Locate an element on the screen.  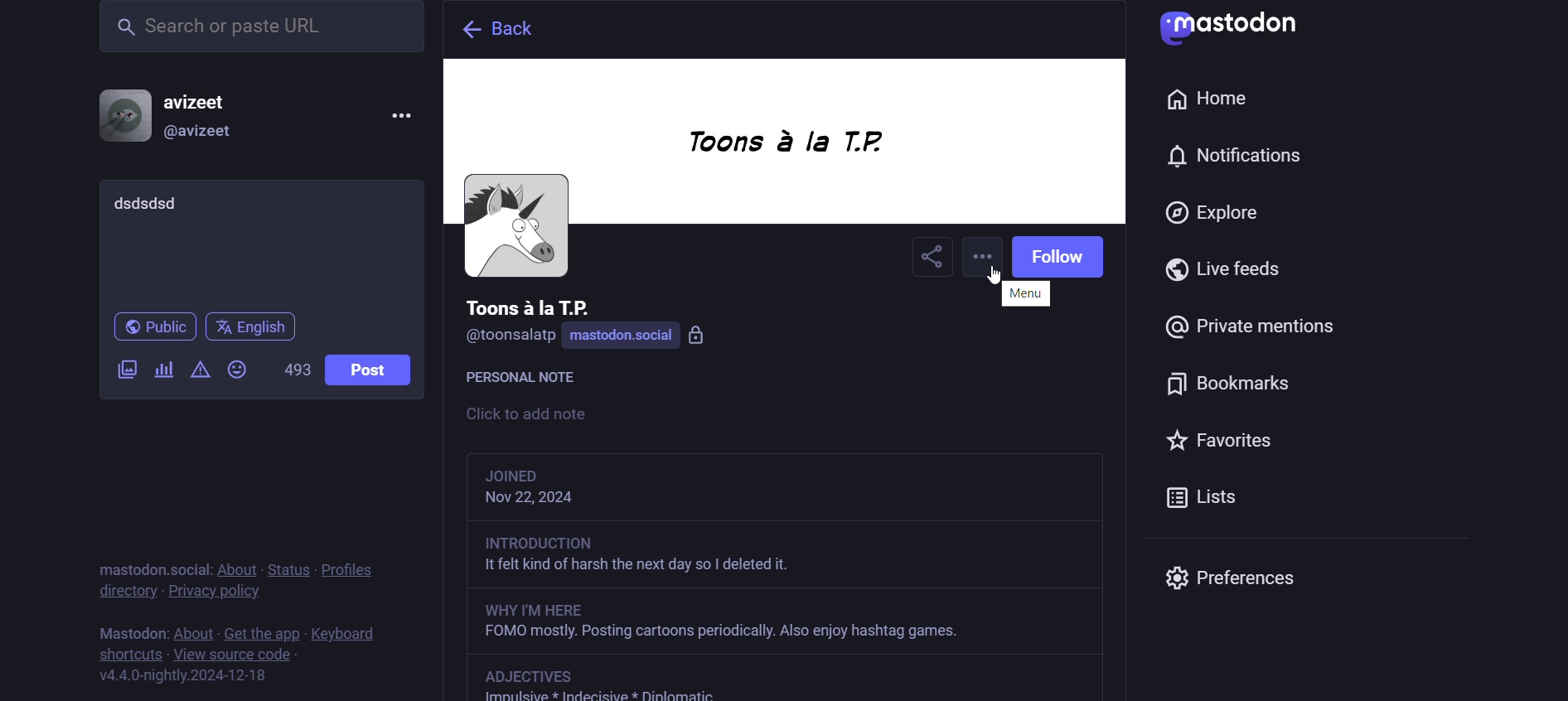
word limit is located at coordinates (295, 375).